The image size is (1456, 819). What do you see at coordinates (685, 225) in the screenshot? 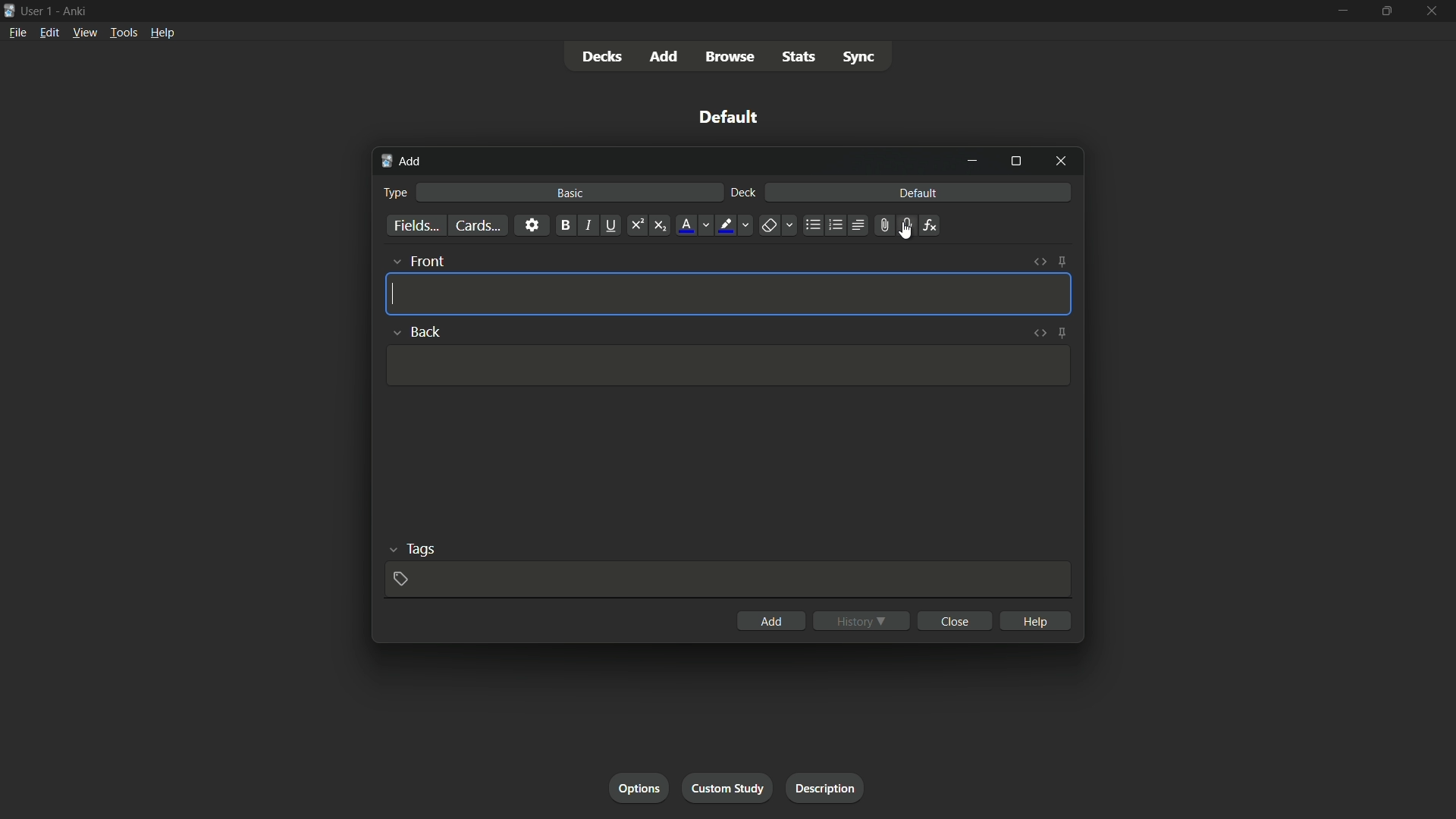
I see `font color` at bounding box center [685, 225].